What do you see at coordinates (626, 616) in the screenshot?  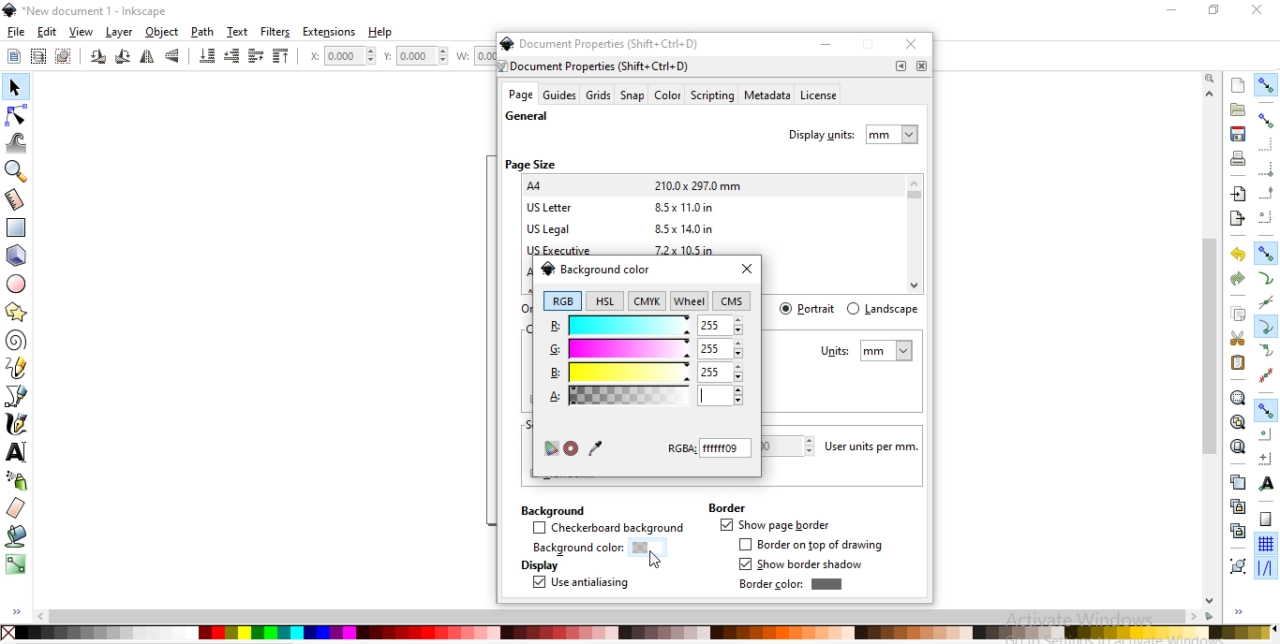 I see `scrollbar` at bounding box center [626, 616].